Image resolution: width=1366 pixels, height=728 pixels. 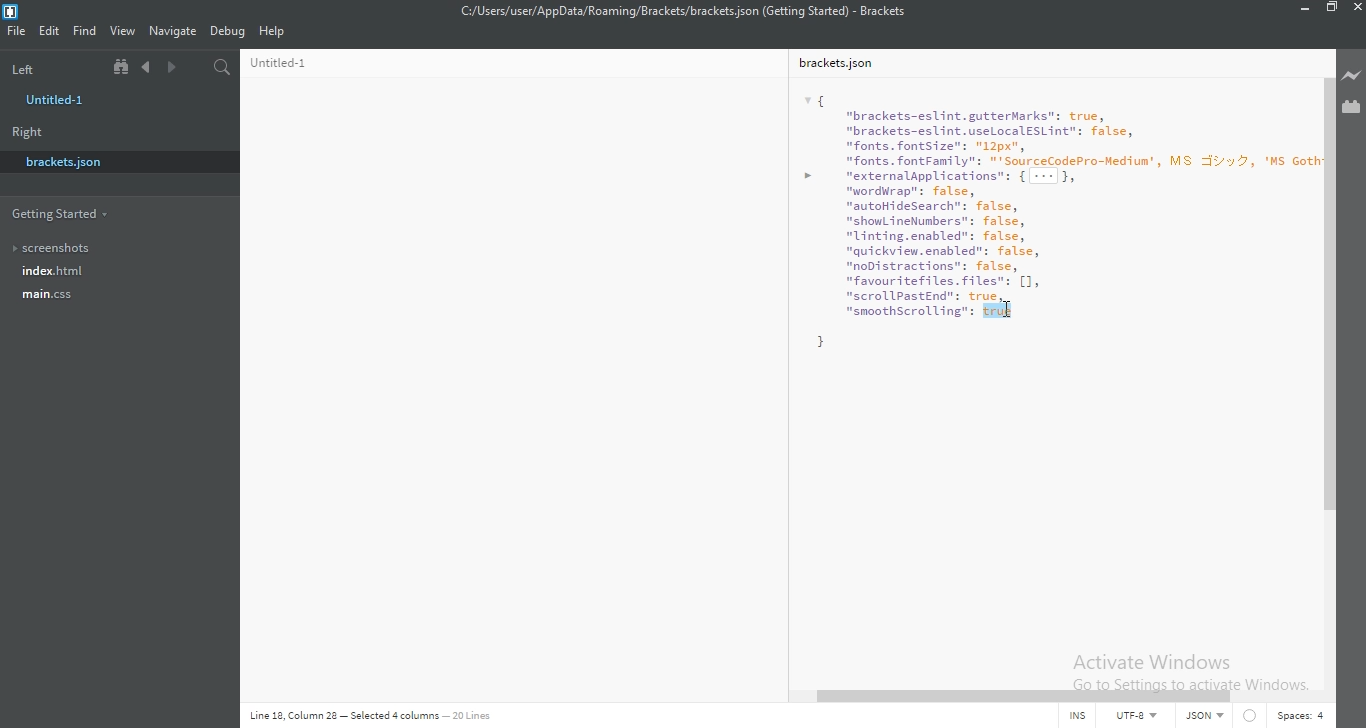 I want to click on Line code data, so click(x=367, y=717).